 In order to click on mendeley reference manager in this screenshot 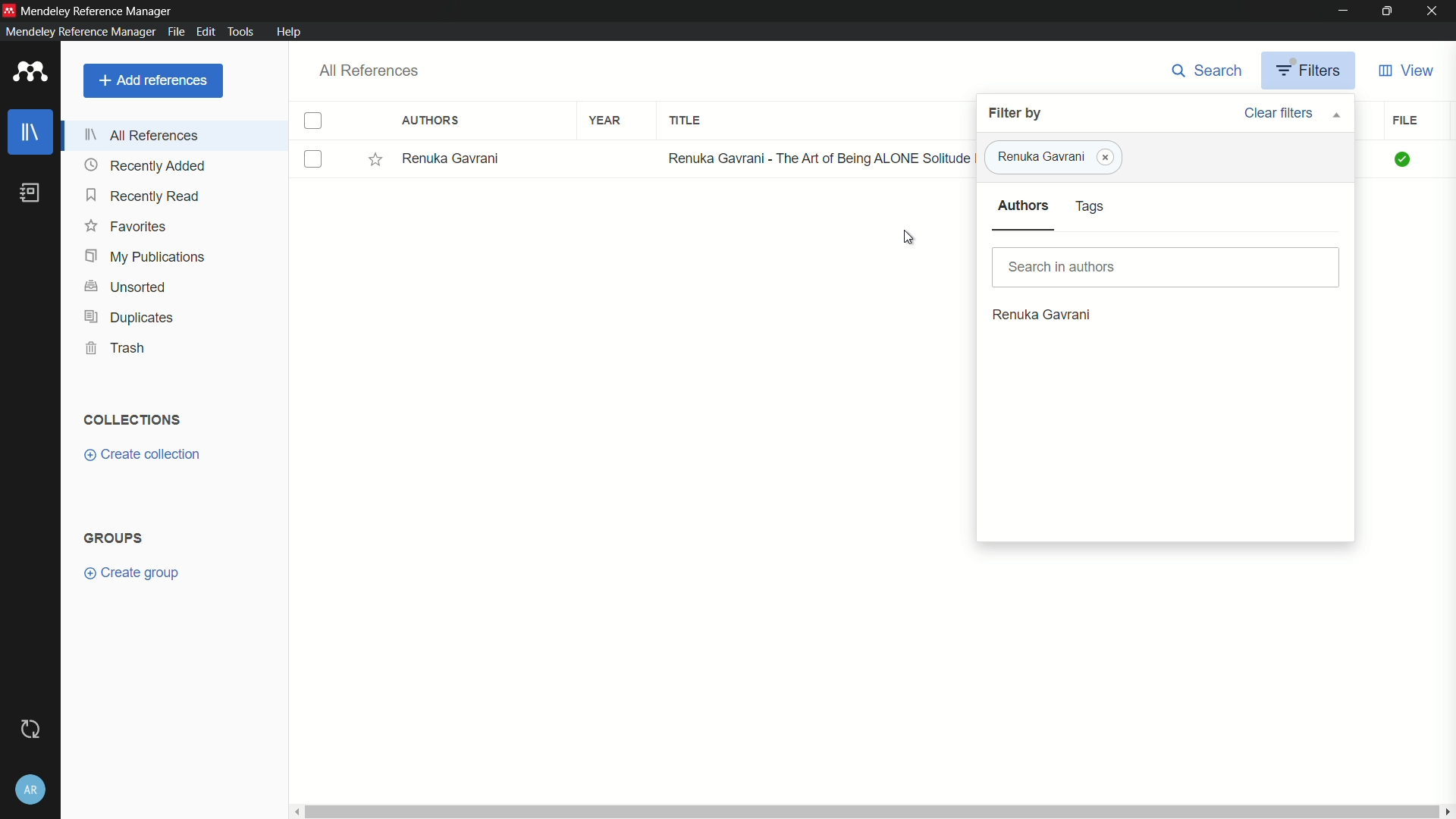, I will do `click(80, 31)`.